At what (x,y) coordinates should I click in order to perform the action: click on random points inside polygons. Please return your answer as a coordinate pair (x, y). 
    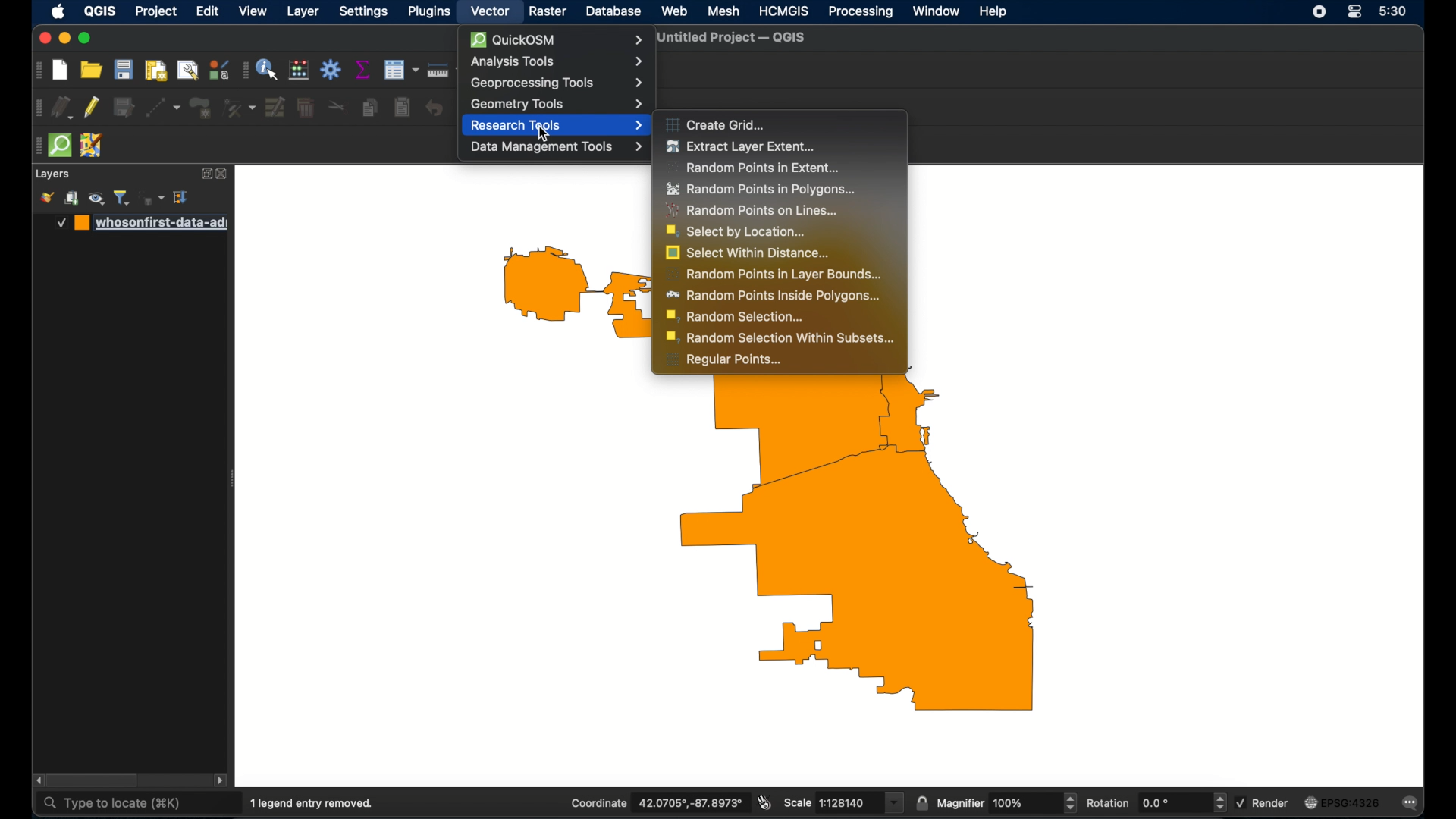
    Looking at the image, I should click on (773, 296).